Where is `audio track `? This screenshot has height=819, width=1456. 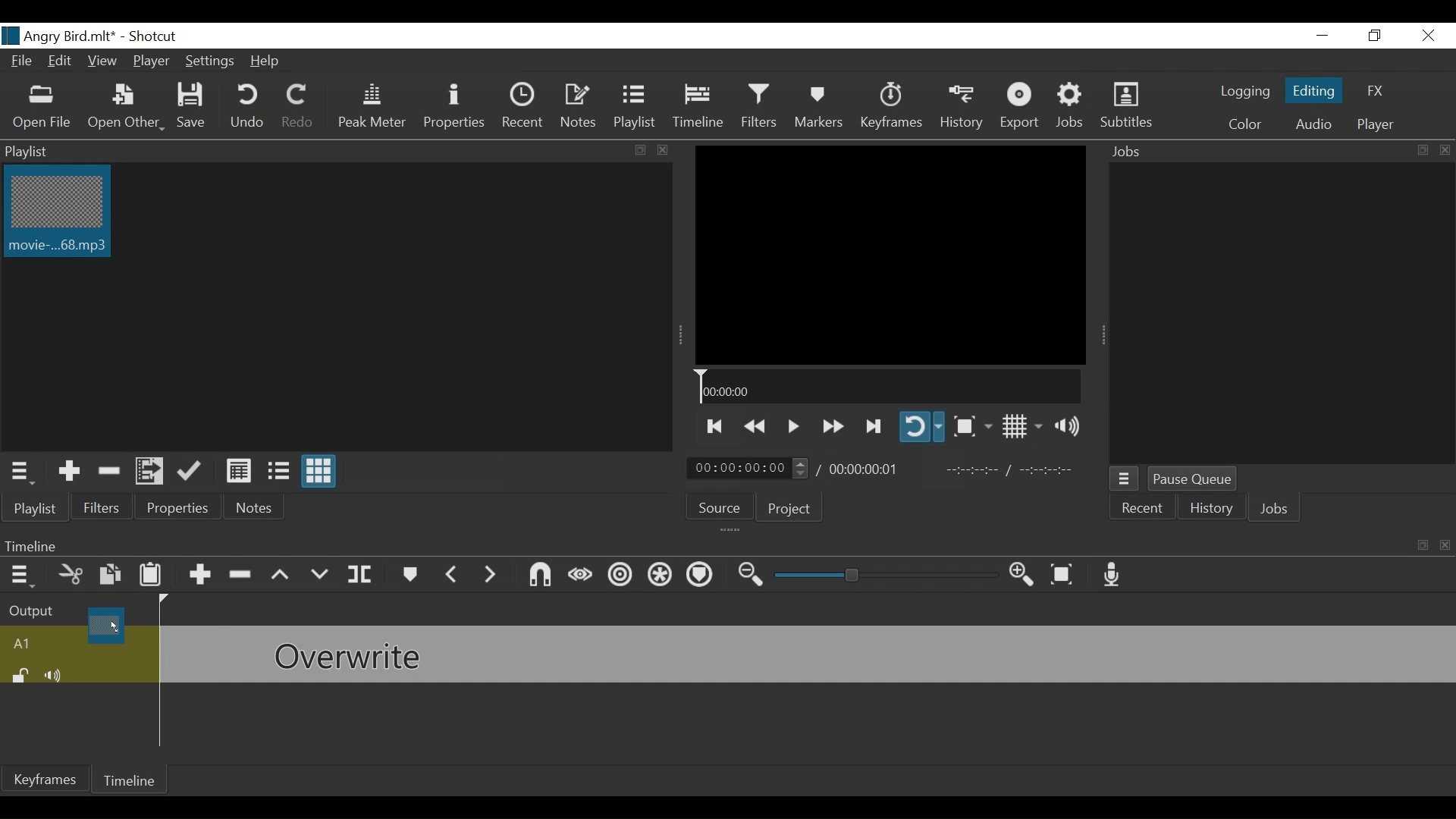 audio track  is located at coordinates (808, 654).